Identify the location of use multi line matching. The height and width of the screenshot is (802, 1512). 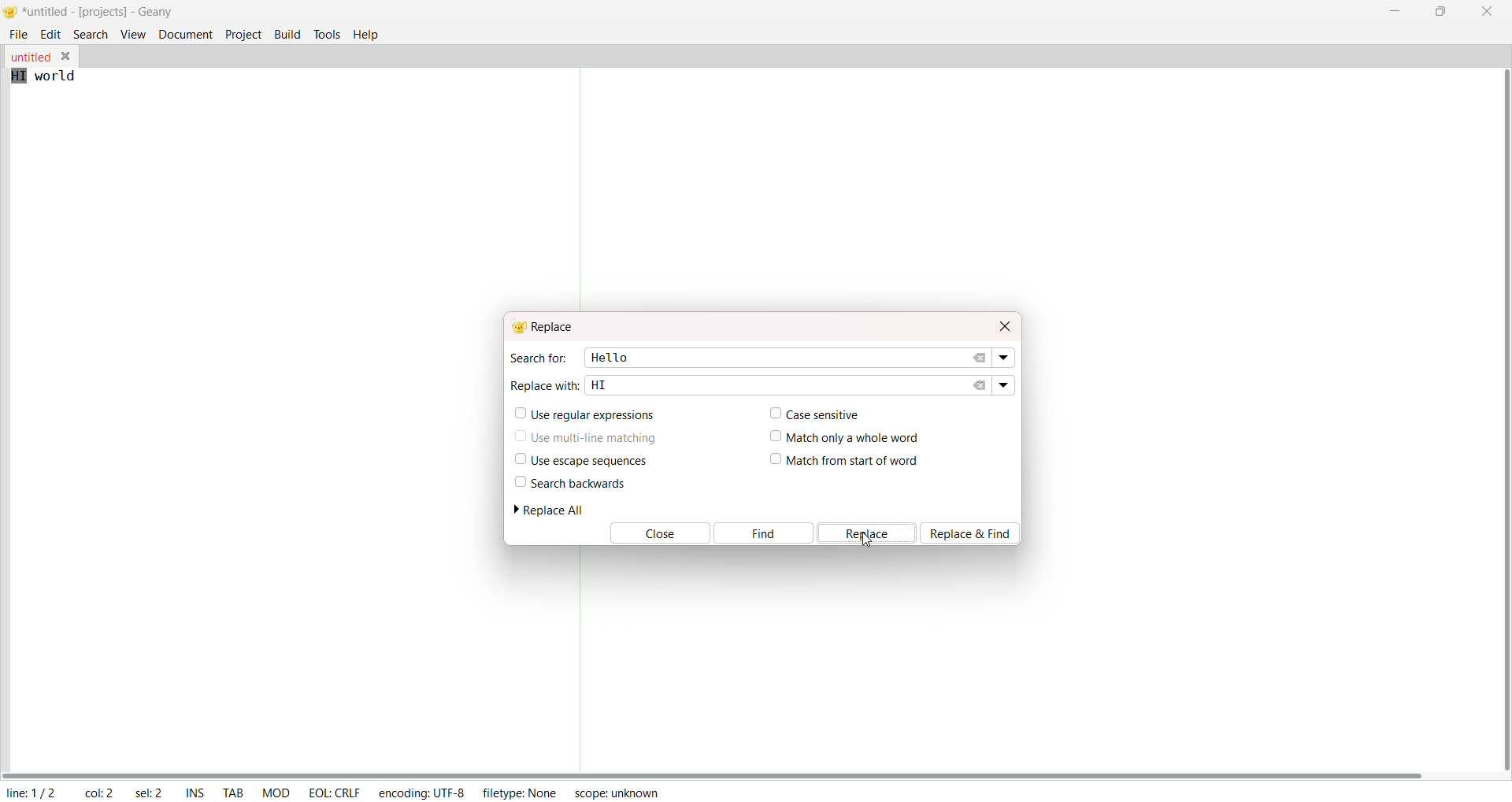
(587, 435).